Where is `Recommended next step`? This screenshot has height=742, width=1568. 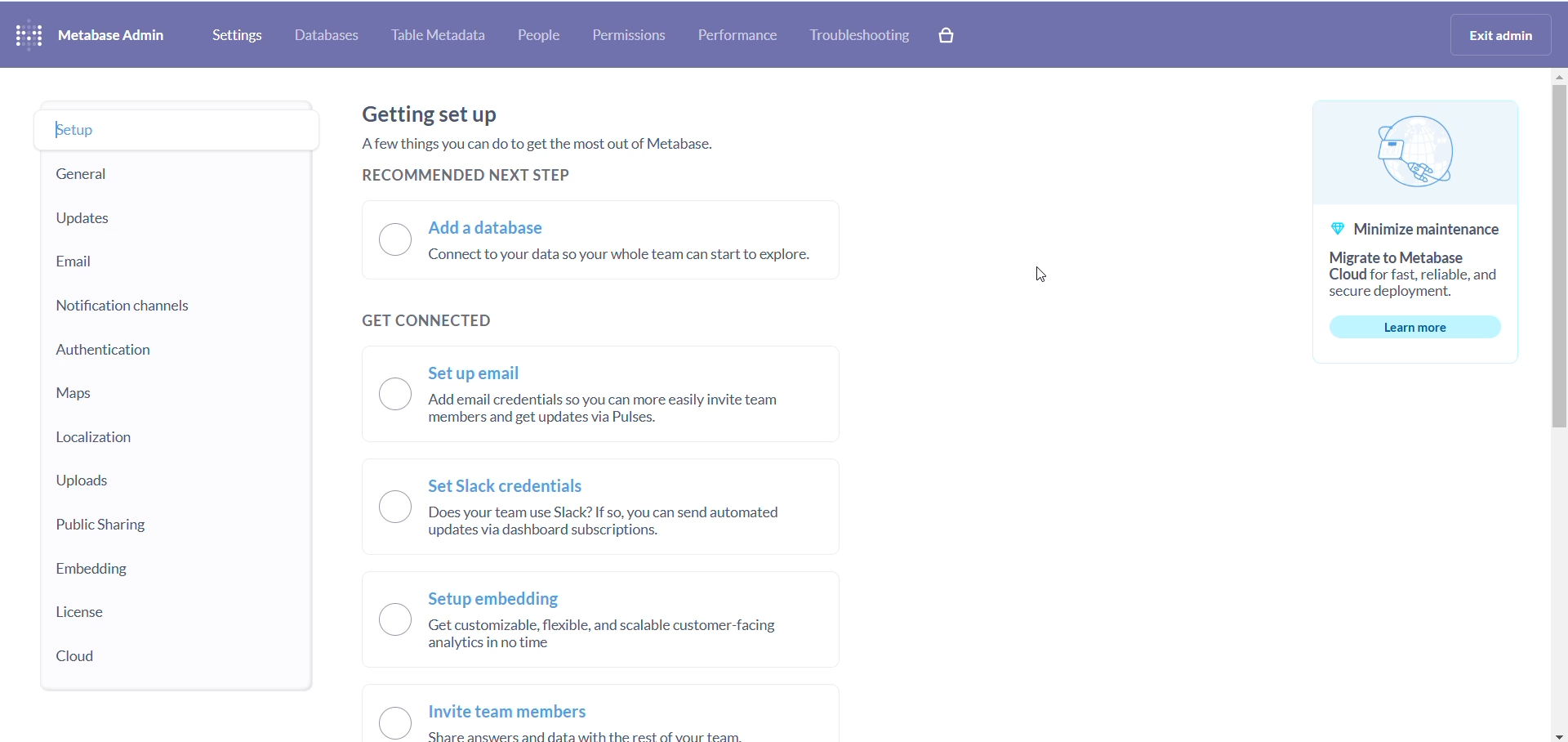
Recommended next step is located at coordinates (474, 172).